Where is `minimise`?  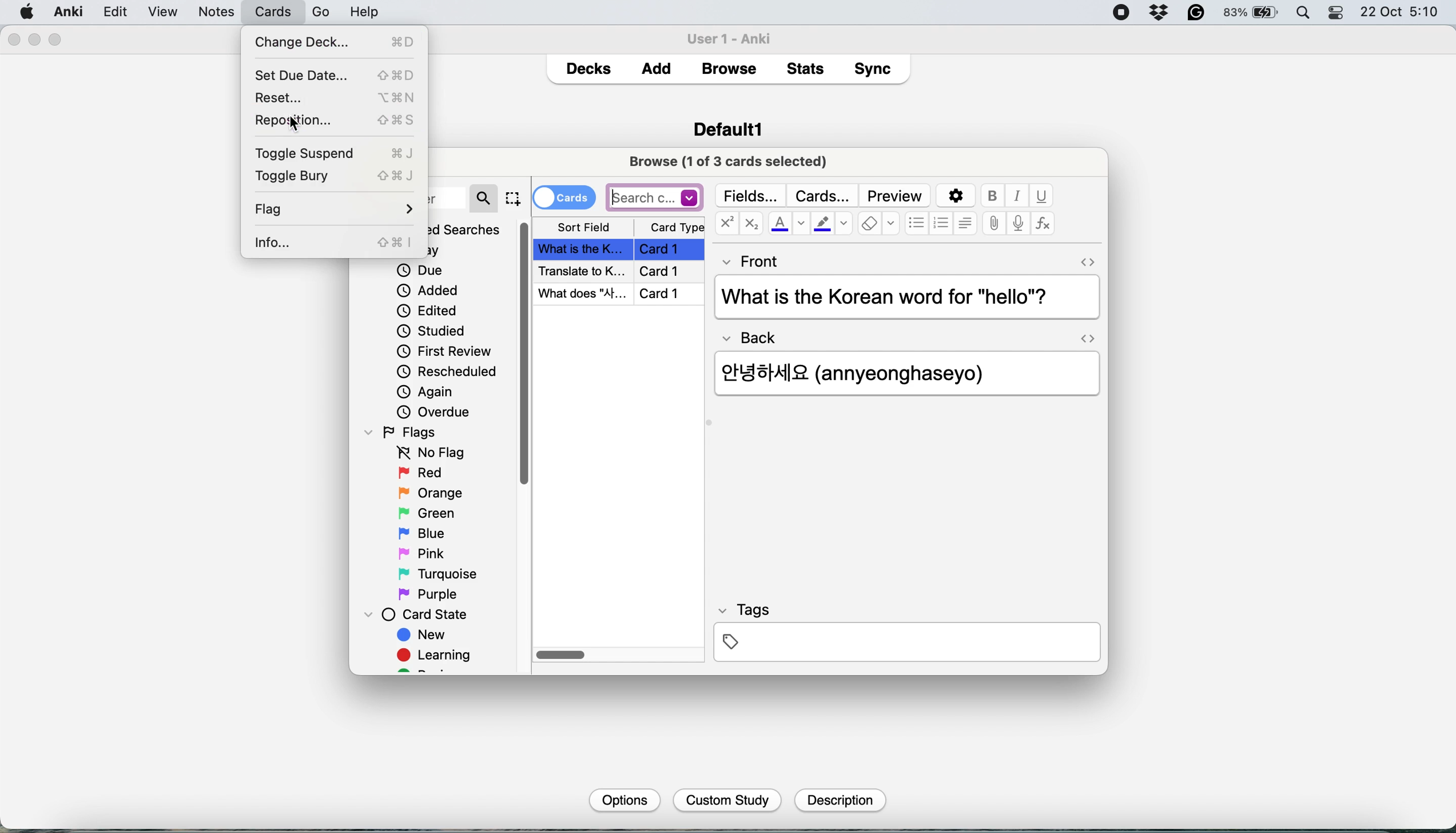
minimise is located at coordinates (35, 39).